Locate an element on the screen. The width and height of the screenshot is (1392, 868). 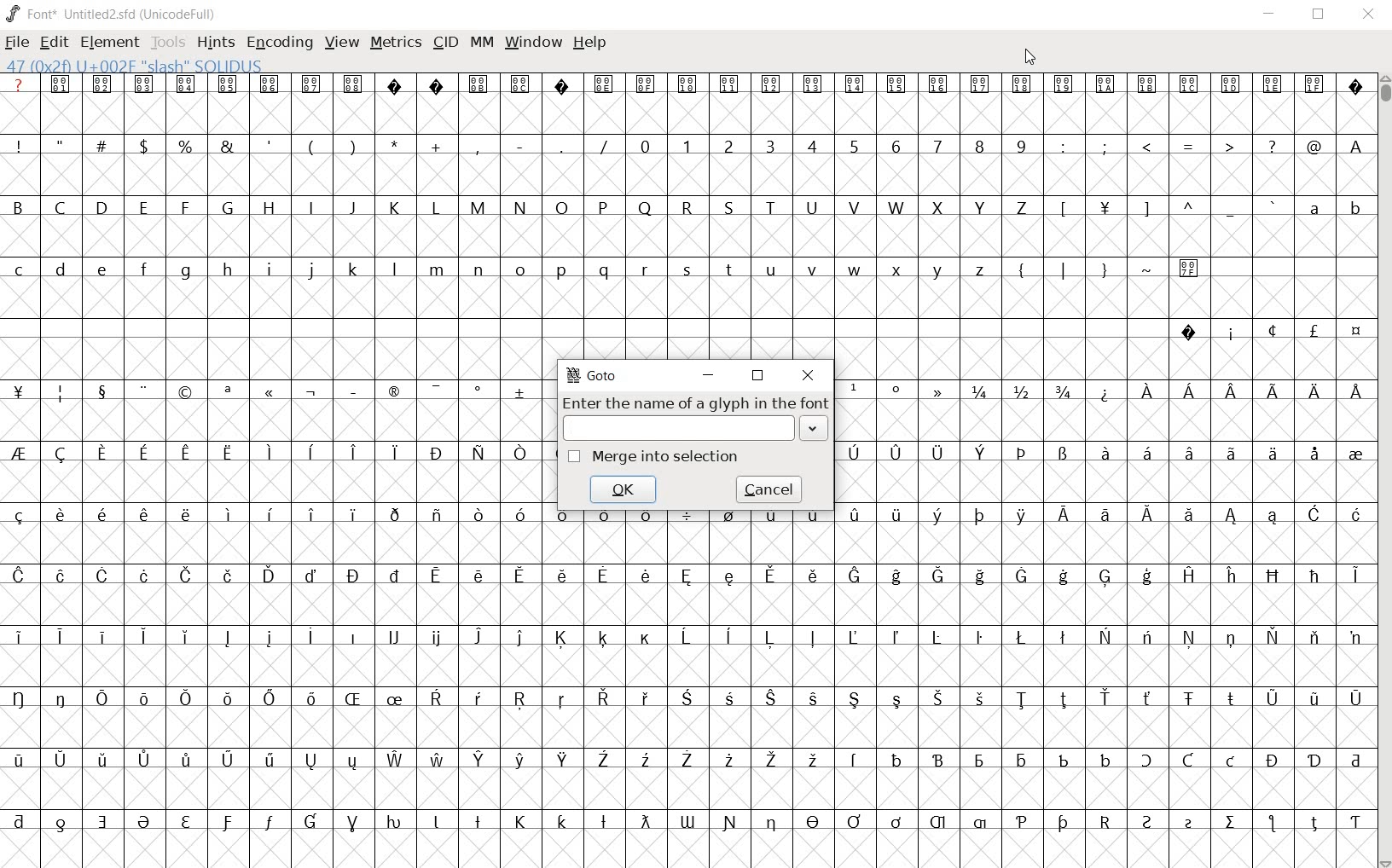
VIEW is located at coordinates (342, 43).